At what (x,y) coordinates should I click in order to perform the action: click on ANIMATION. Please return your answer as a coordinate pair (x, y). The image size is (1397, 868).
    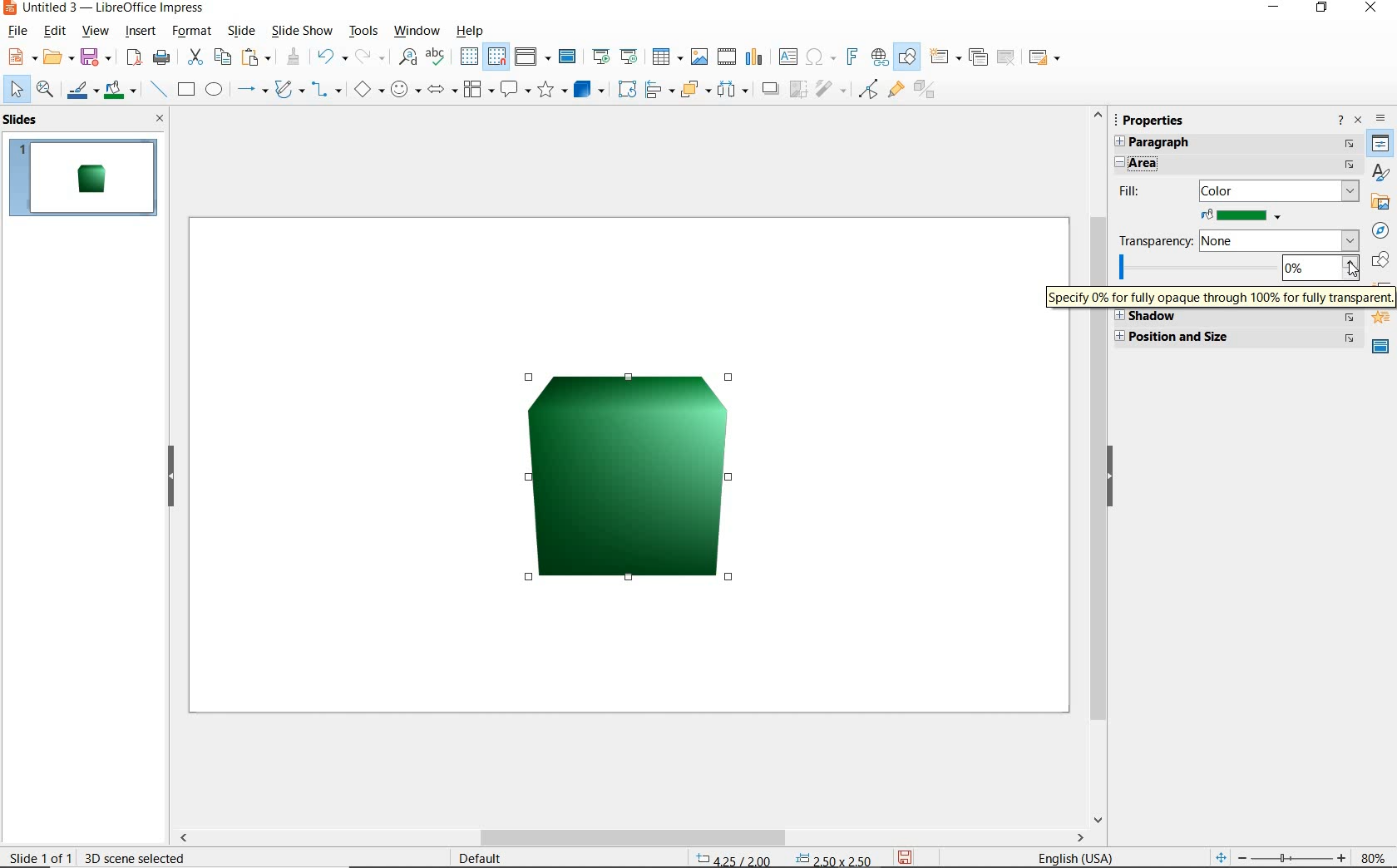
    Looking at the image, I should click on (1381, 320).